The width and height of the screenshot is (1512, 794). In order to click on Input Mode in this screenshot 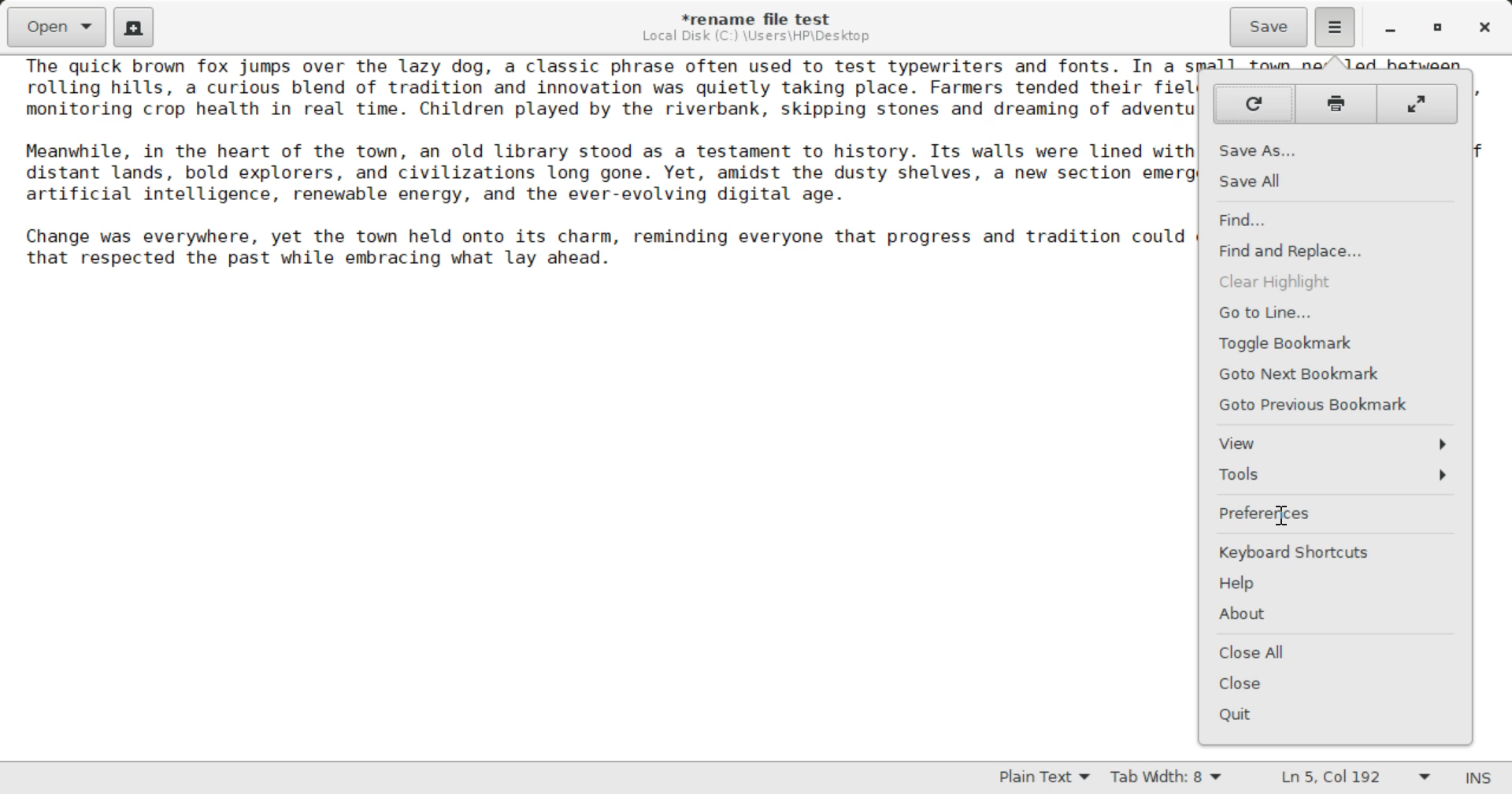, I will do `click(1478, 780)`.